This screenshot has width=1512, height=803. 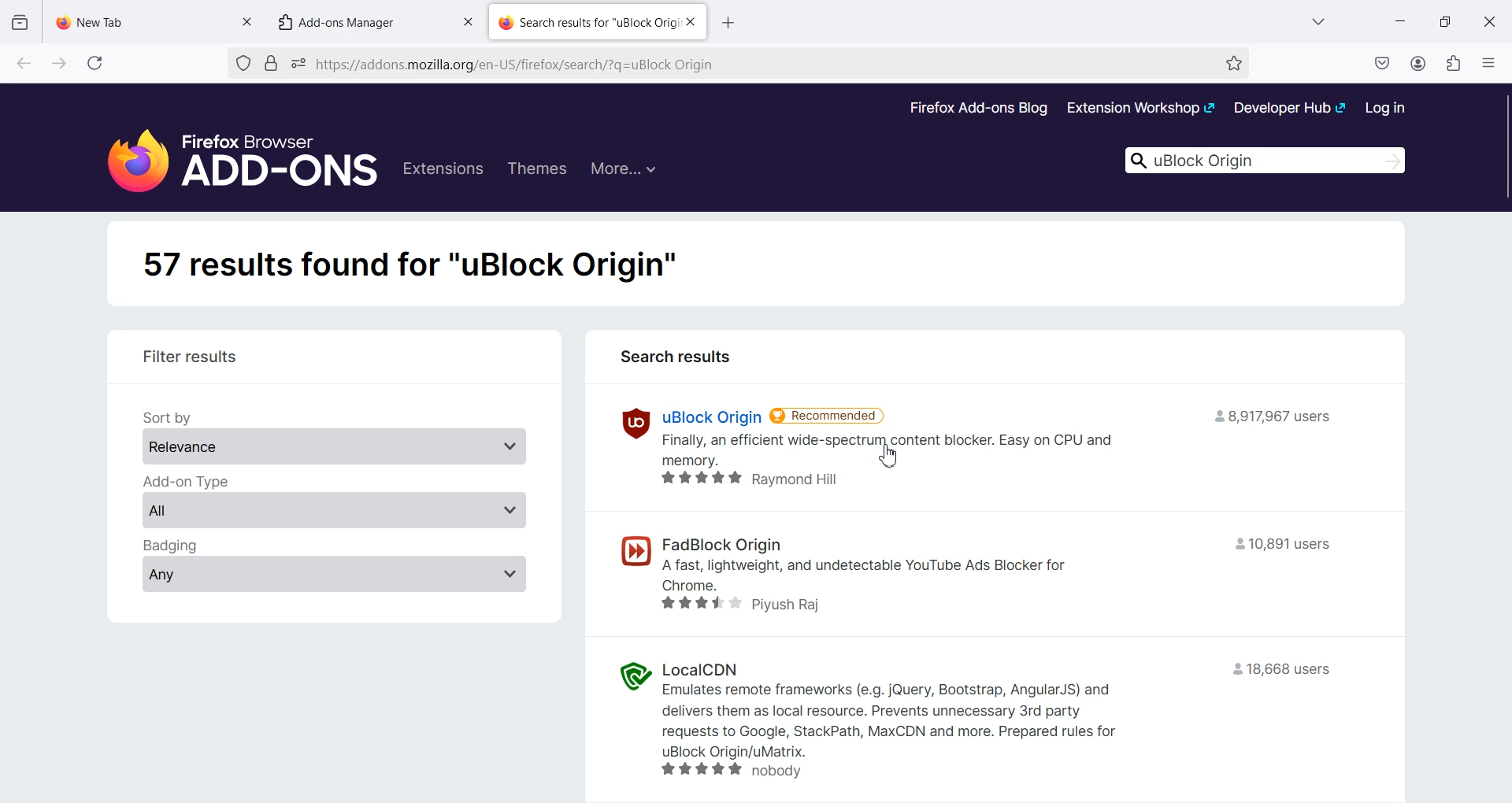 What do you see at coordinates (1140, 108) in the screenshot?
I see `Extension Workshop` at bounding box center [1140, 108].